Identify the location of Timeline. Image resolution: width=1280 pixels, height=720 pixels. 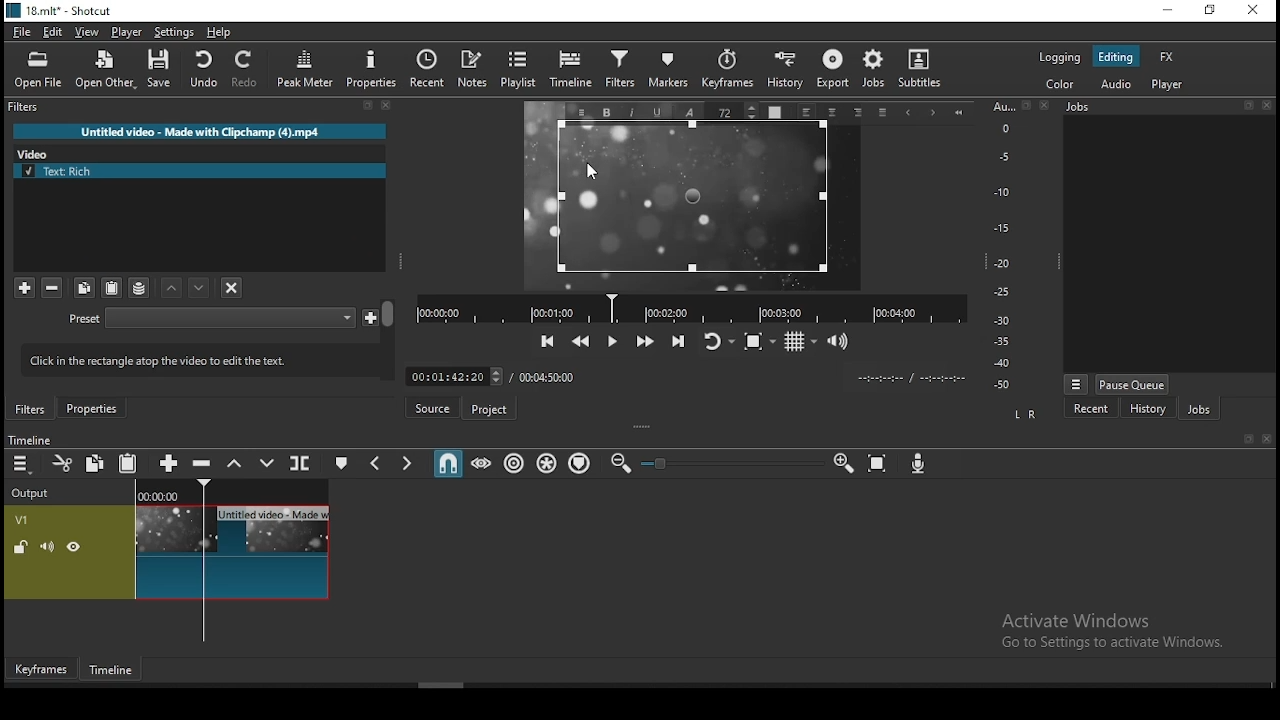
(233, 490).